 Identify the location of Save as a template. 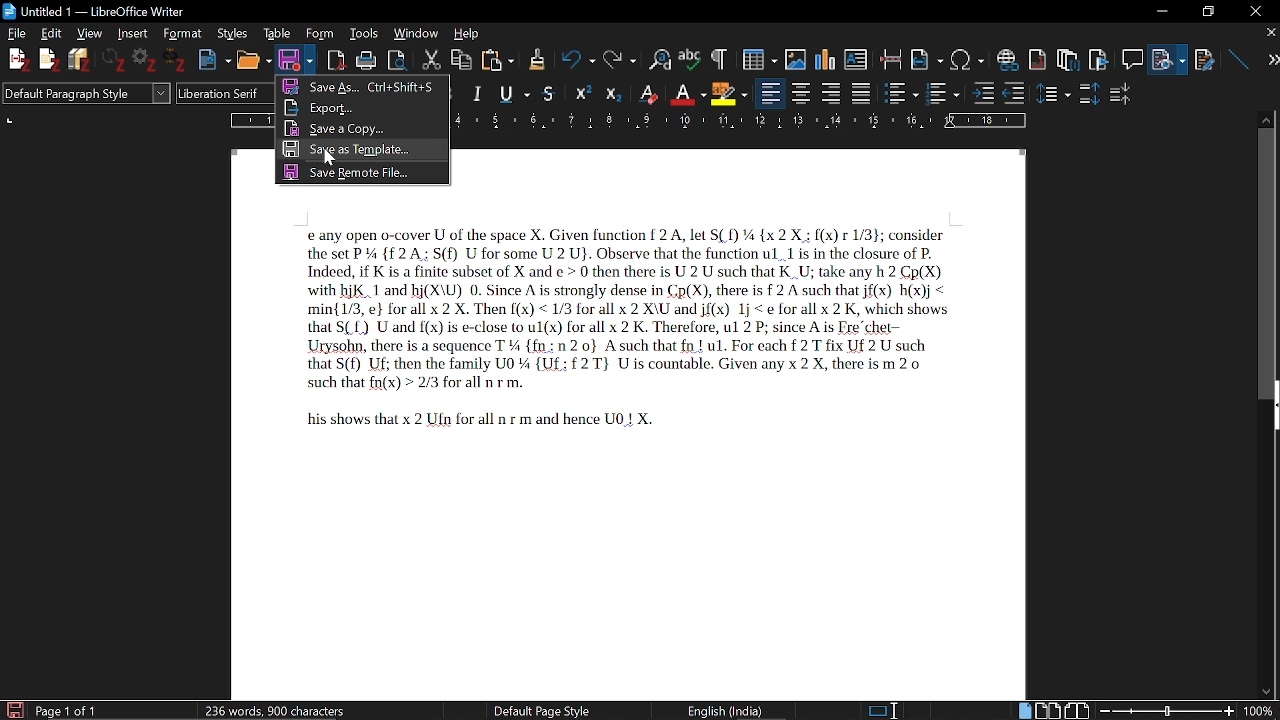
(362, 151).